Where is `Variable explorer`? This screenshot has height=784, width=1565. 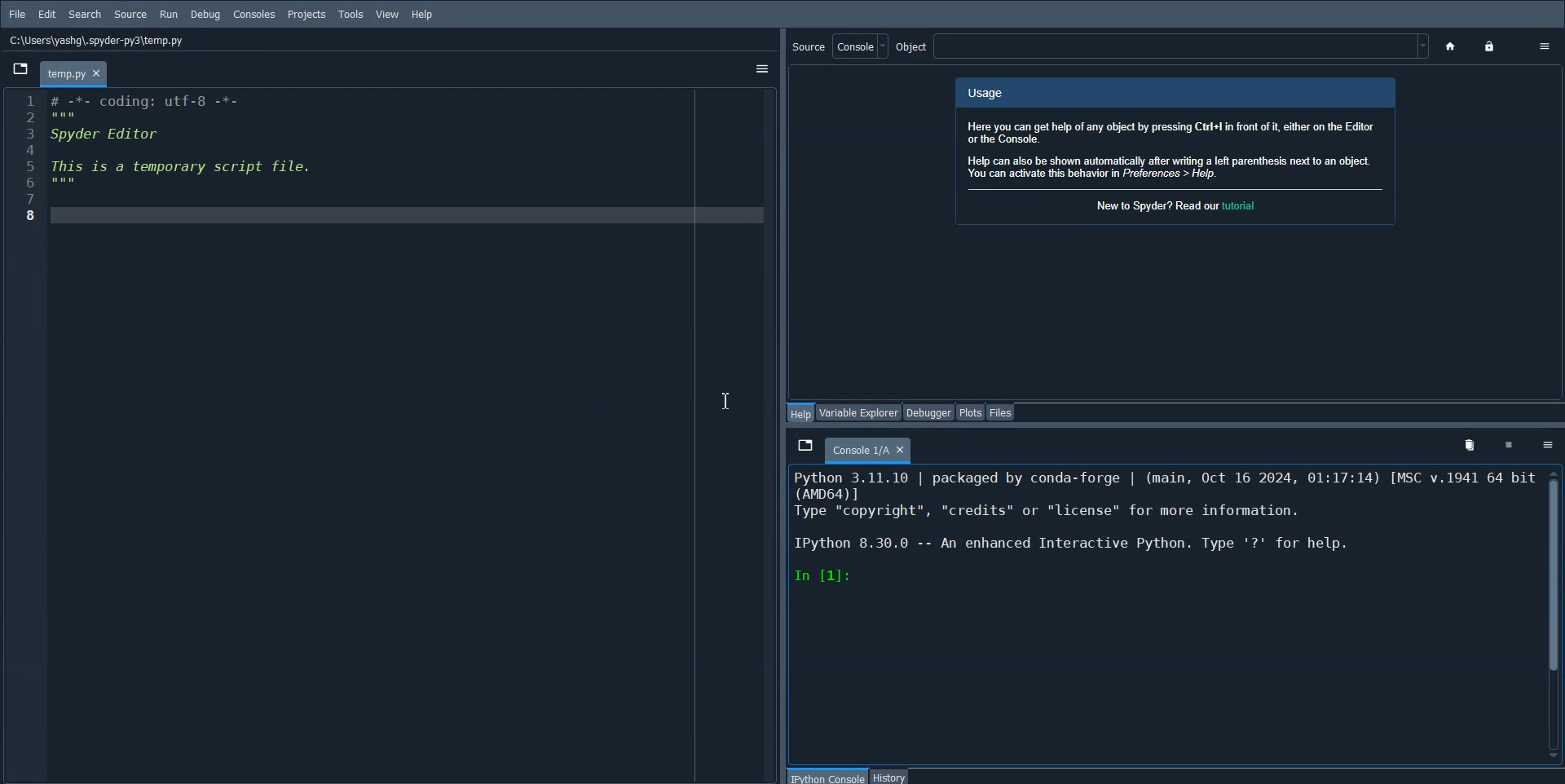 Variable explorer is located at coordinates (860, 412).